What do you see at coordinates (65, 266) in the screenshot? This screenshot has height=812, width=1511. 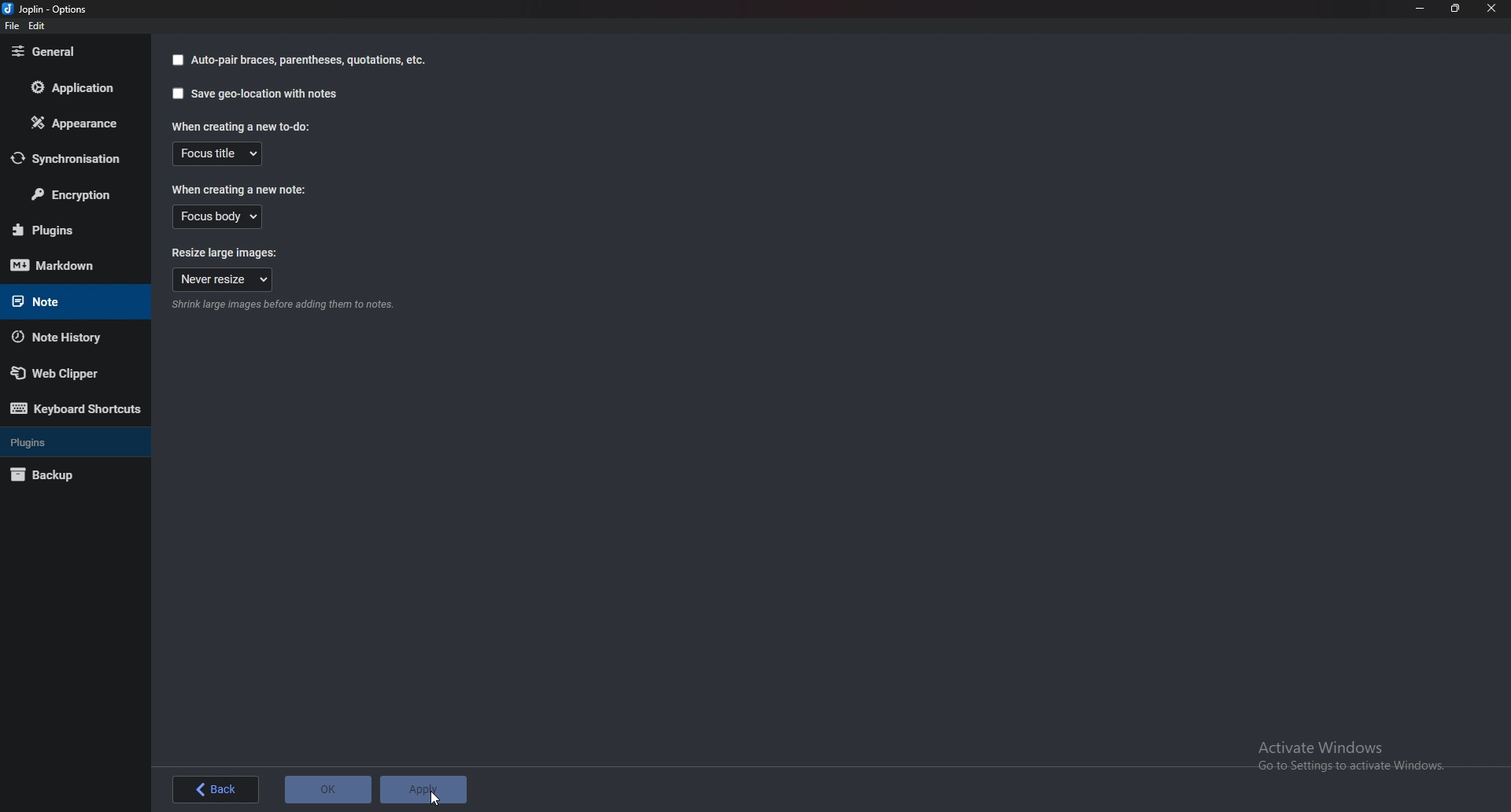 I see `mark down` at bounding box center [65, 266].